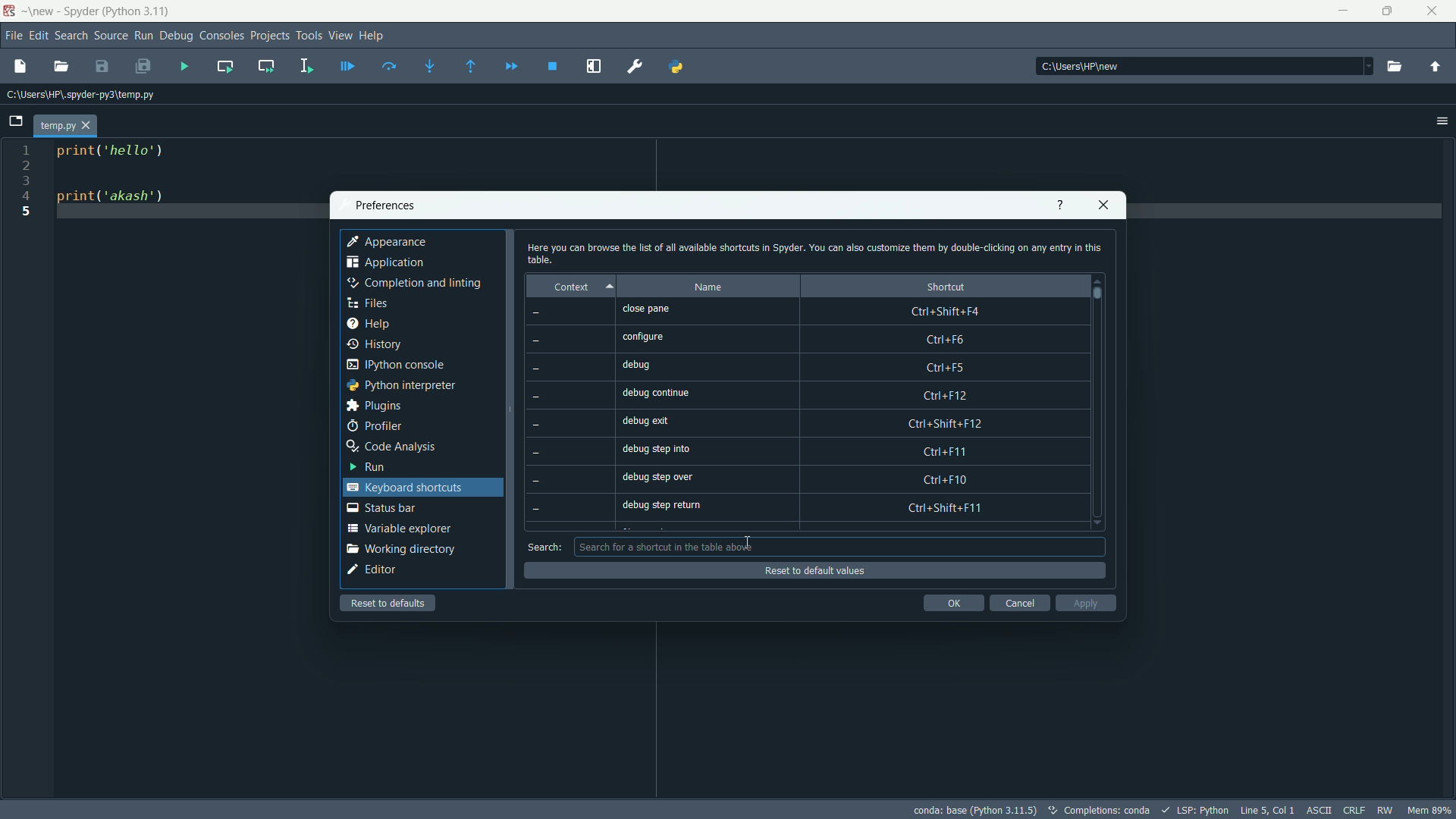  I want to click on conda: base (Python 3.11.5), so click(974, 811).